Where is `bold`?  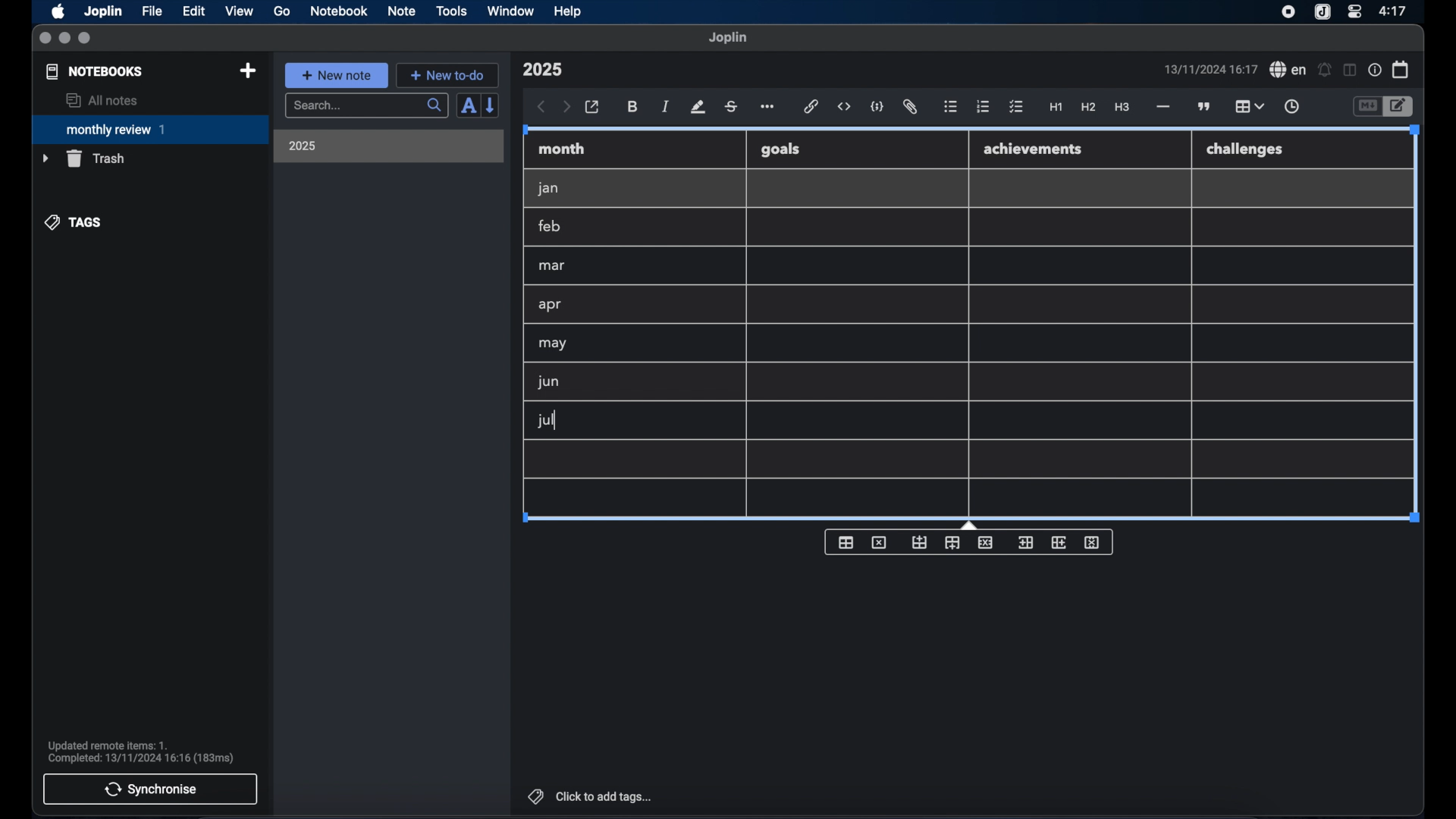
bold is located at coordinates (634, 107).